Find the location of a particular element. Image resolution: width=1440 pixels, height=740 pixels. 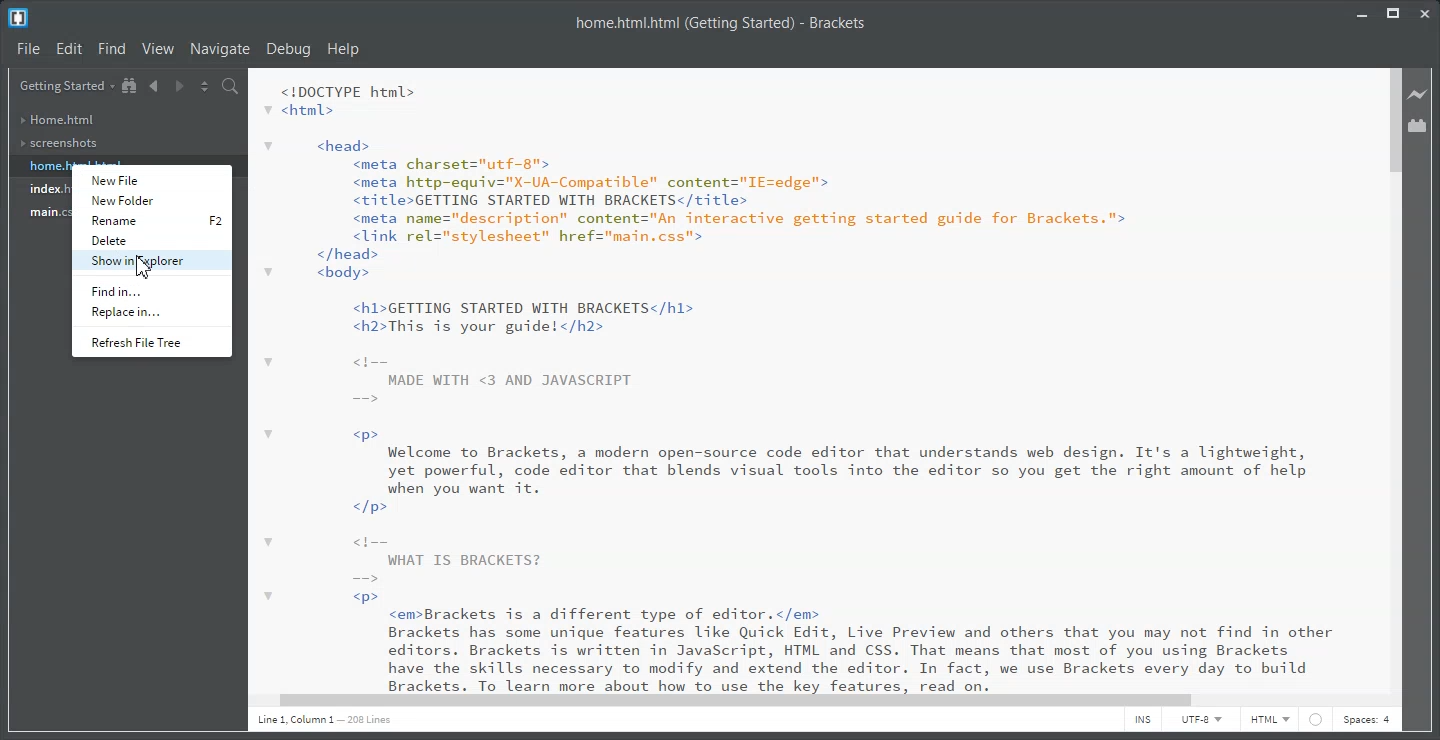

UTF-8 is located at coordinates (1202, 722).